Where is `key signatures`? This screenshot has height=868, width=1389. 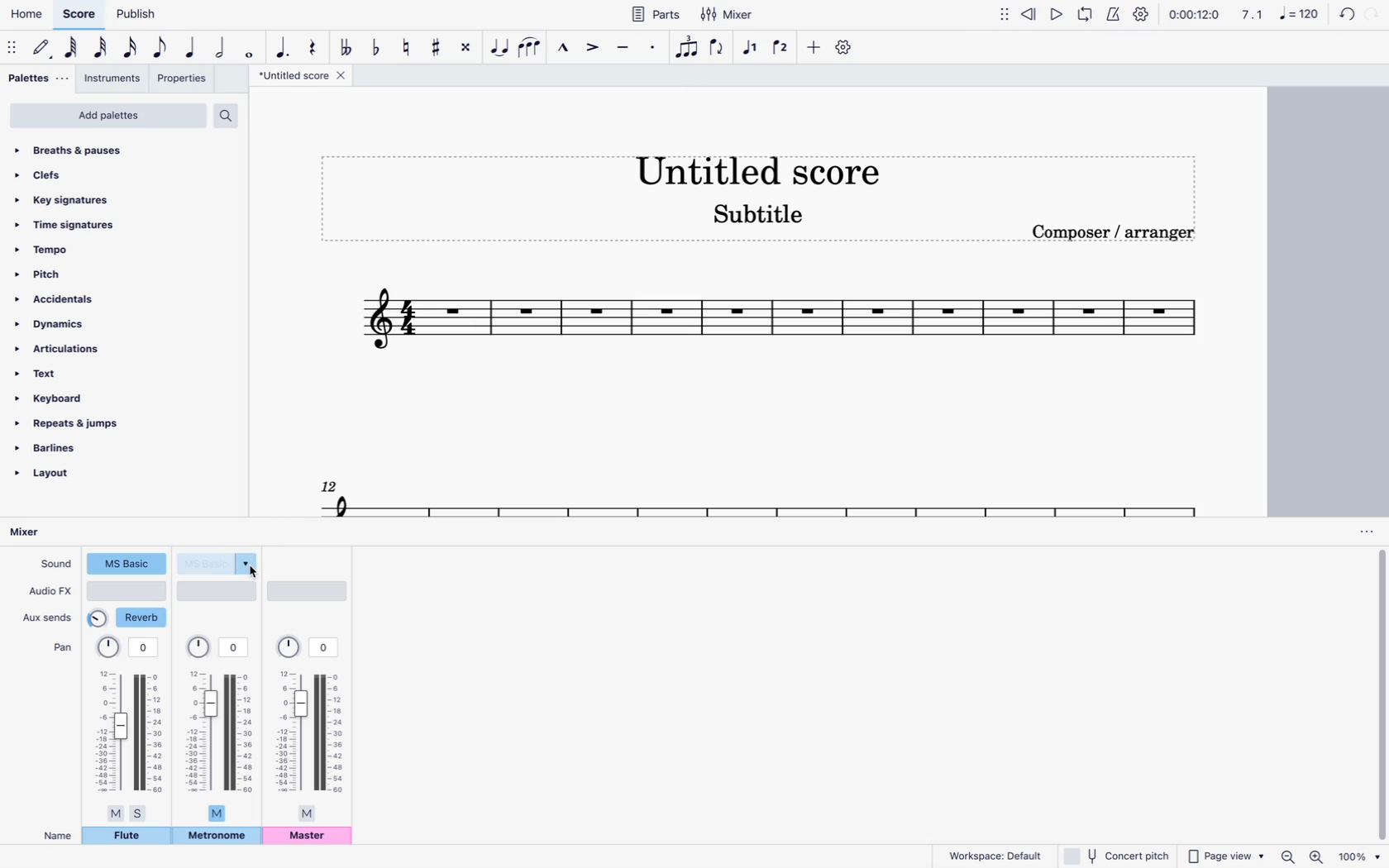 key signatures is located at coordinates (109, 197).